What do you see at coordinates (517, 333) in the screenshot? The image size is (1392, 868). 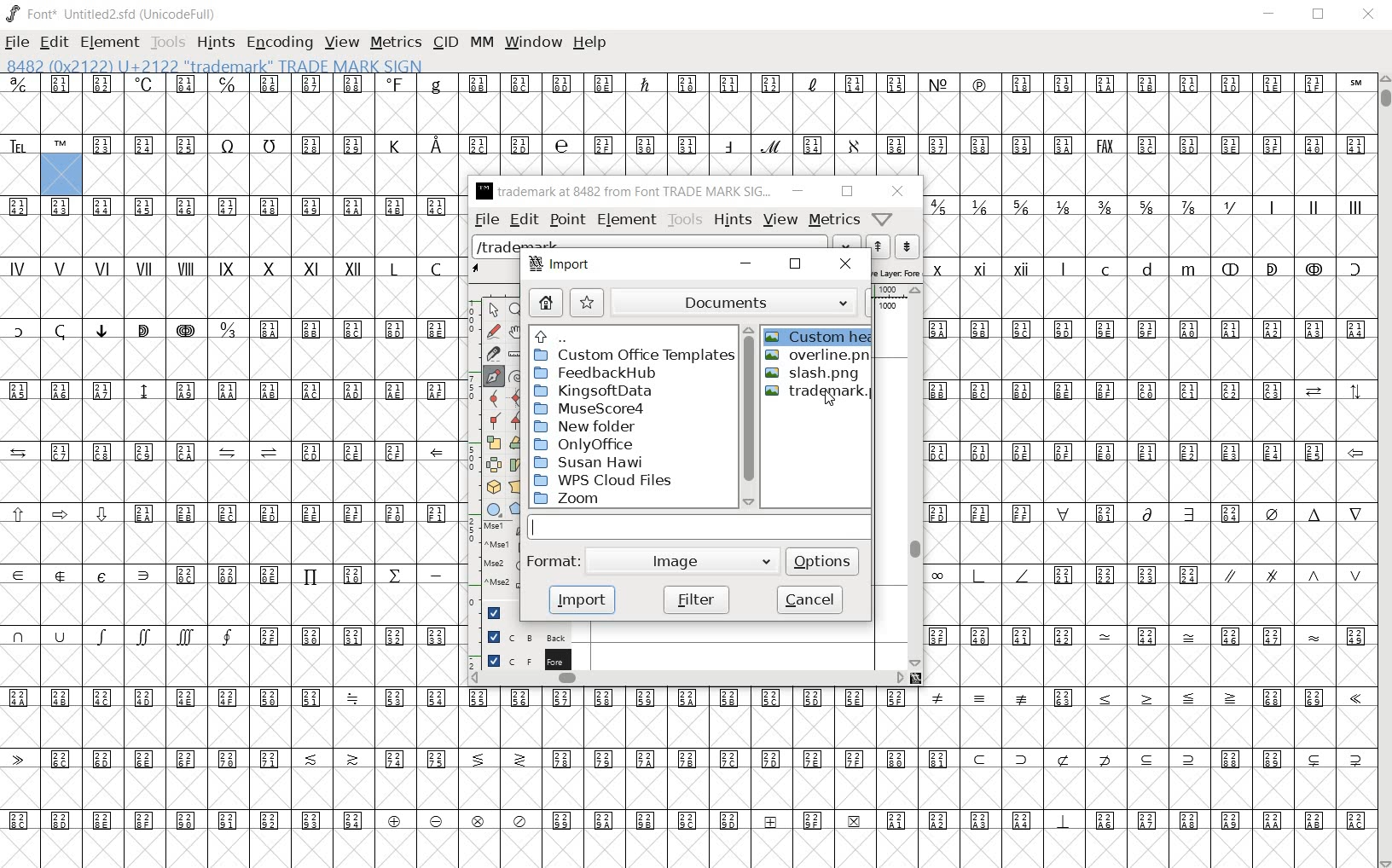 I see `scroll by hand` at bounding box center [517, 333].